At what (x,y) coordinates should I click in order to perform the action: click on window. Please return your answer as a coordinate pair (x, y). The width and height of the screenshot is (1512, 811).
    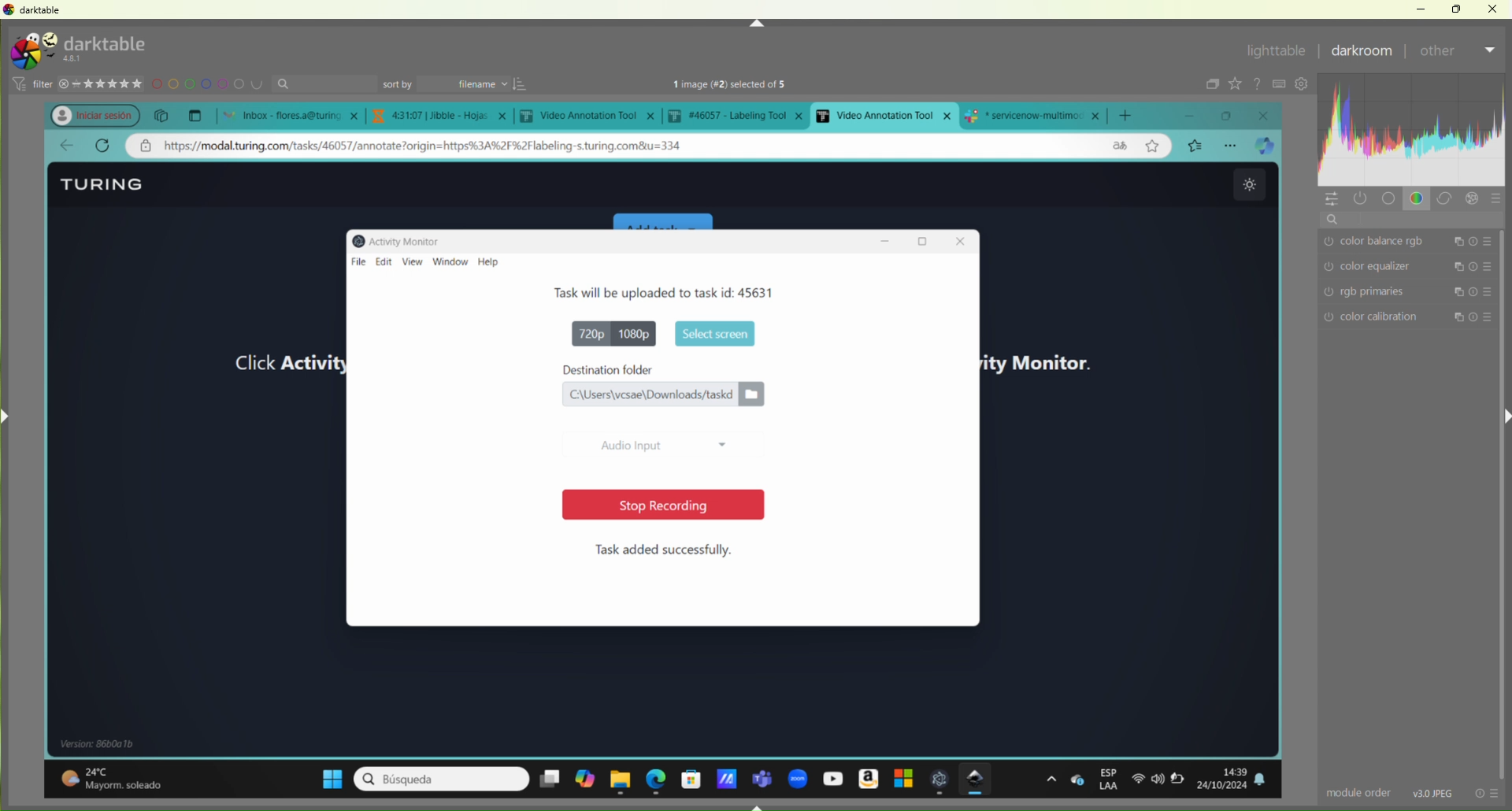
    Looking at the image, I should click on (451, 262).